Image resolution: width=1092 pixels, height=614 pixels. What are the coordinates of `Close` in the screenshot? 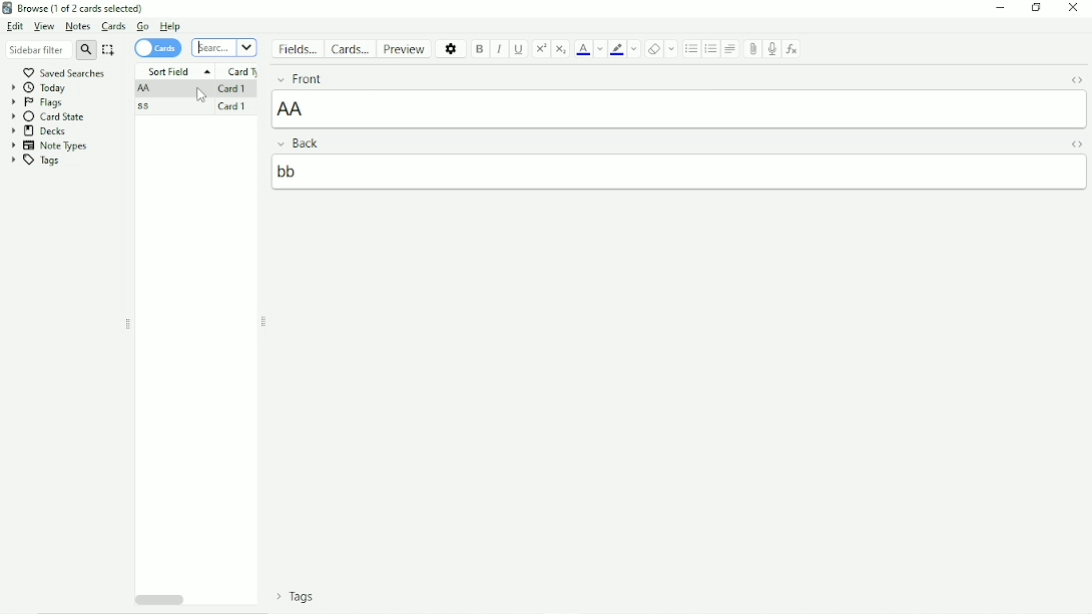 It's located at (1072, 9).